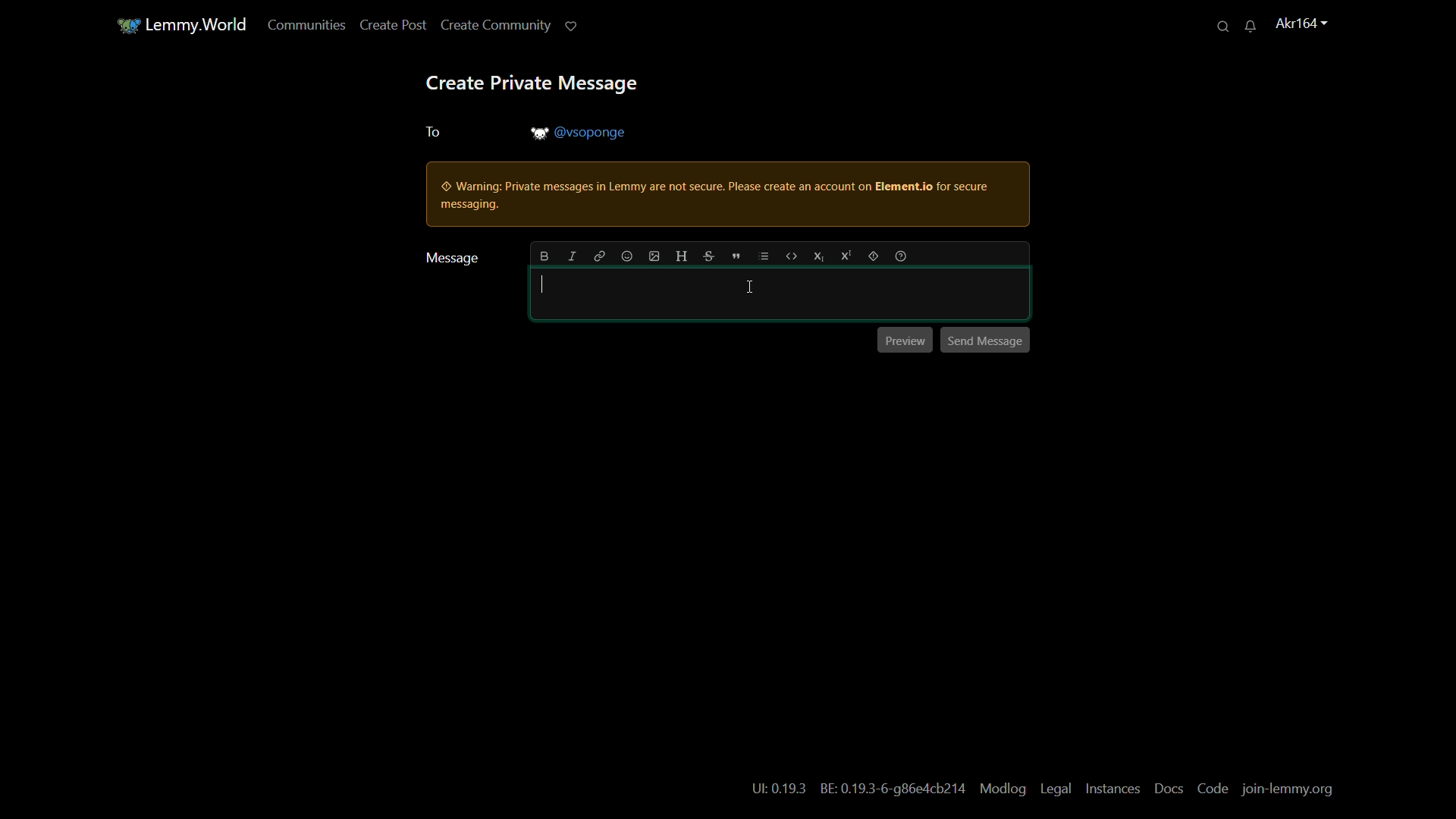  Describe the element at coordinates (563, 27) in the screenshot. I see `support lemmy.world` at that location.